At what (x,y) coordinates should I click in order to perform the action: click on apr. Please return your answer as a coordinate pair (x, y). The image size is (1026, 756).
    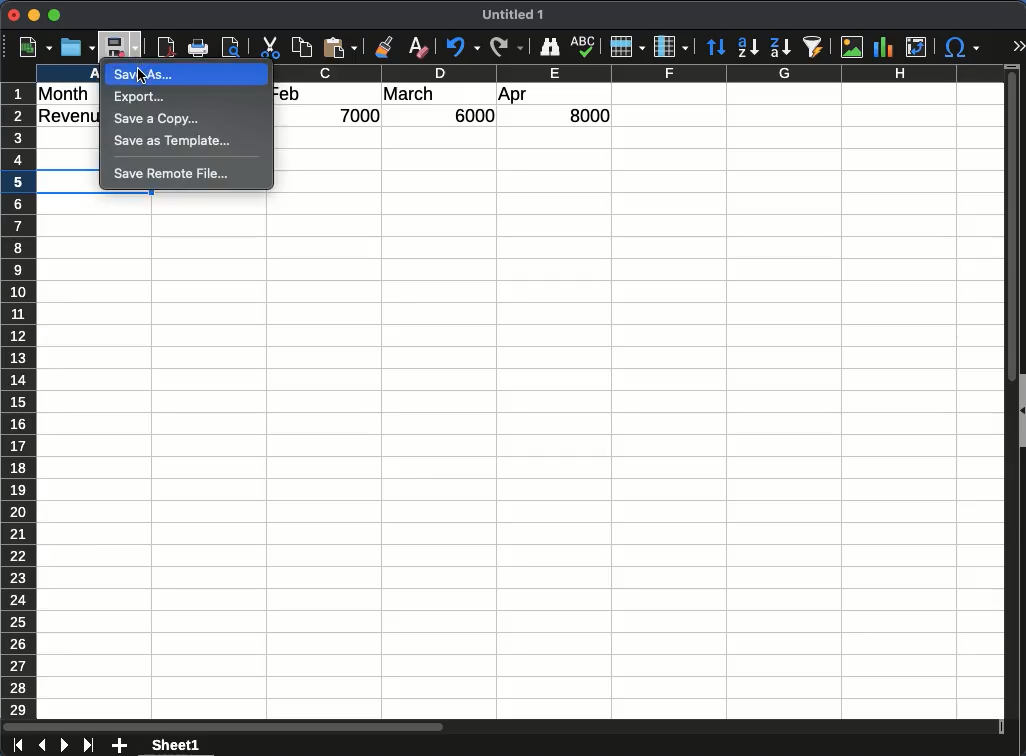
    Looking at the image, I should click on (514, 96).